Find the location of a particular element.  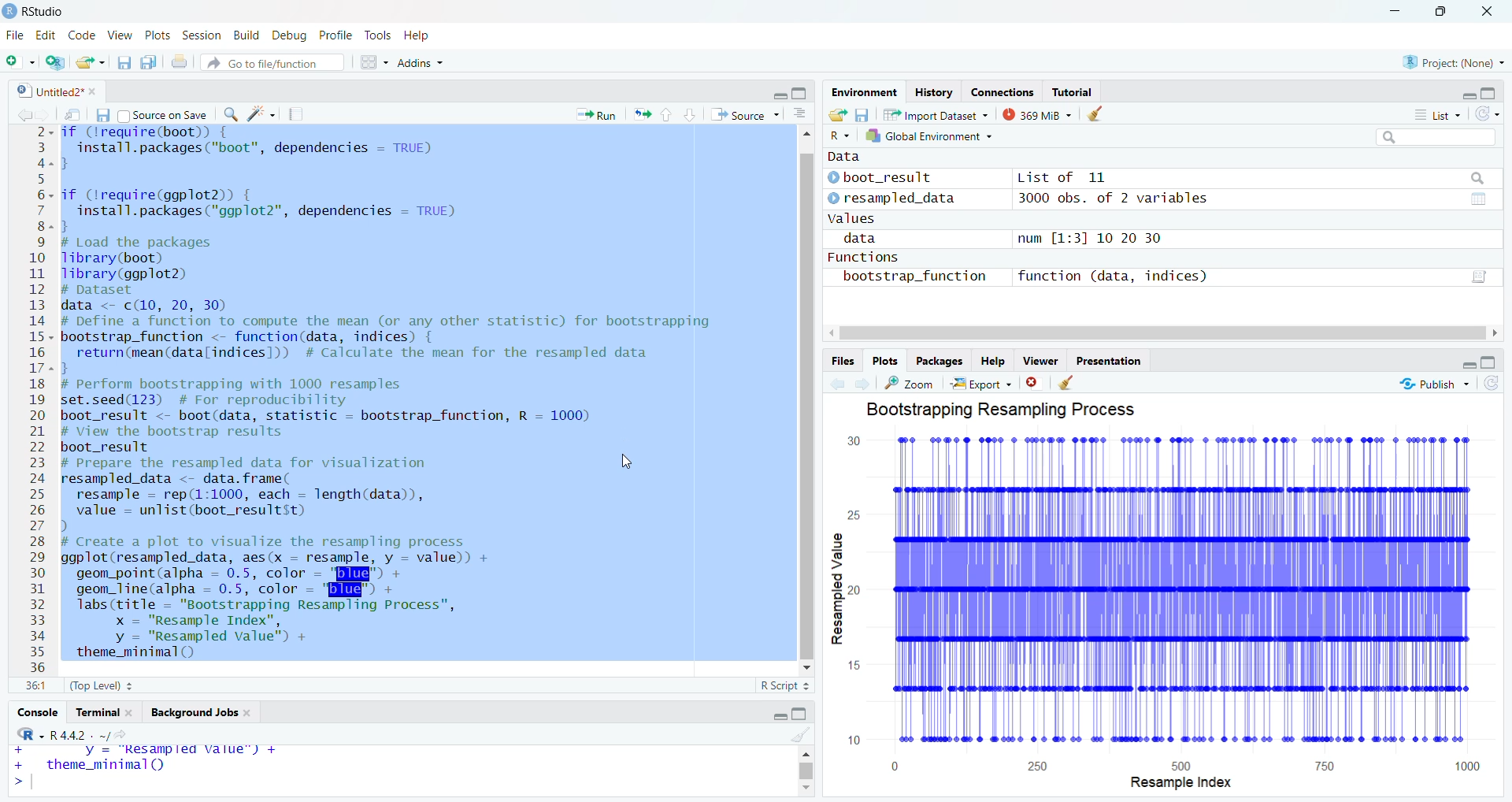

show in new window is located at coordinates (74, 115).